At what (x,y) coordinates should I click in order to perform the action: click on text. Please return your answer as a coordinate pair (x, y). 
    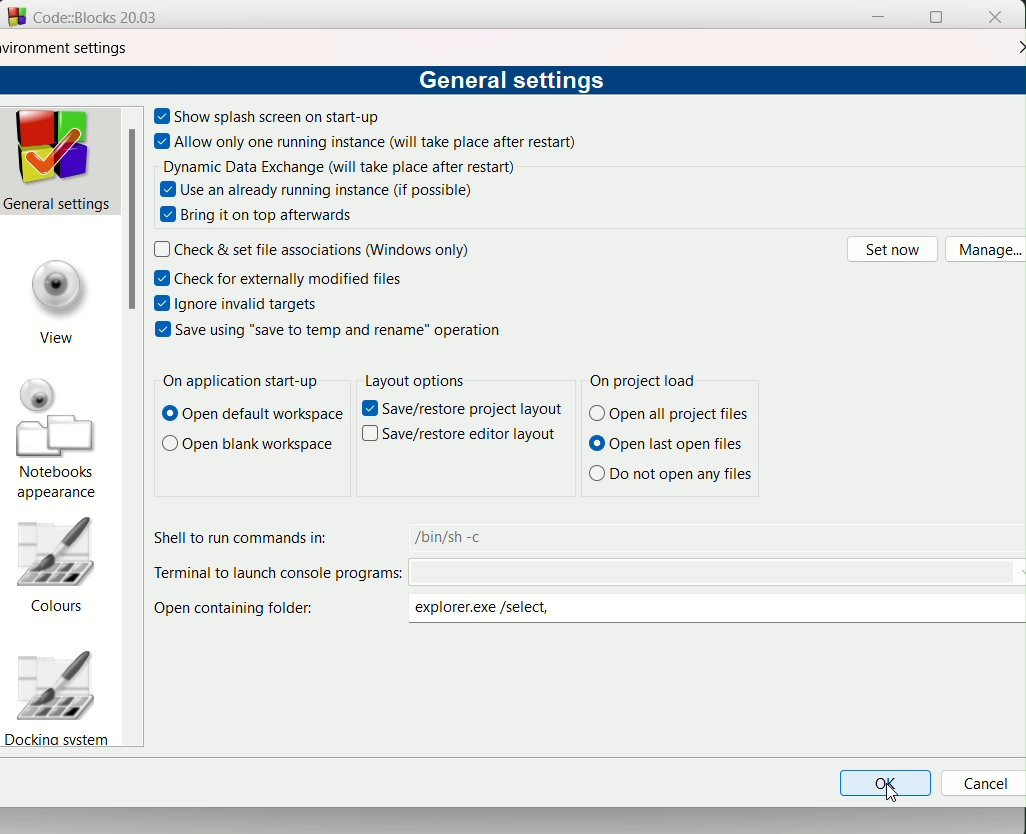
    Looking at the image, I should click on (282, 116).